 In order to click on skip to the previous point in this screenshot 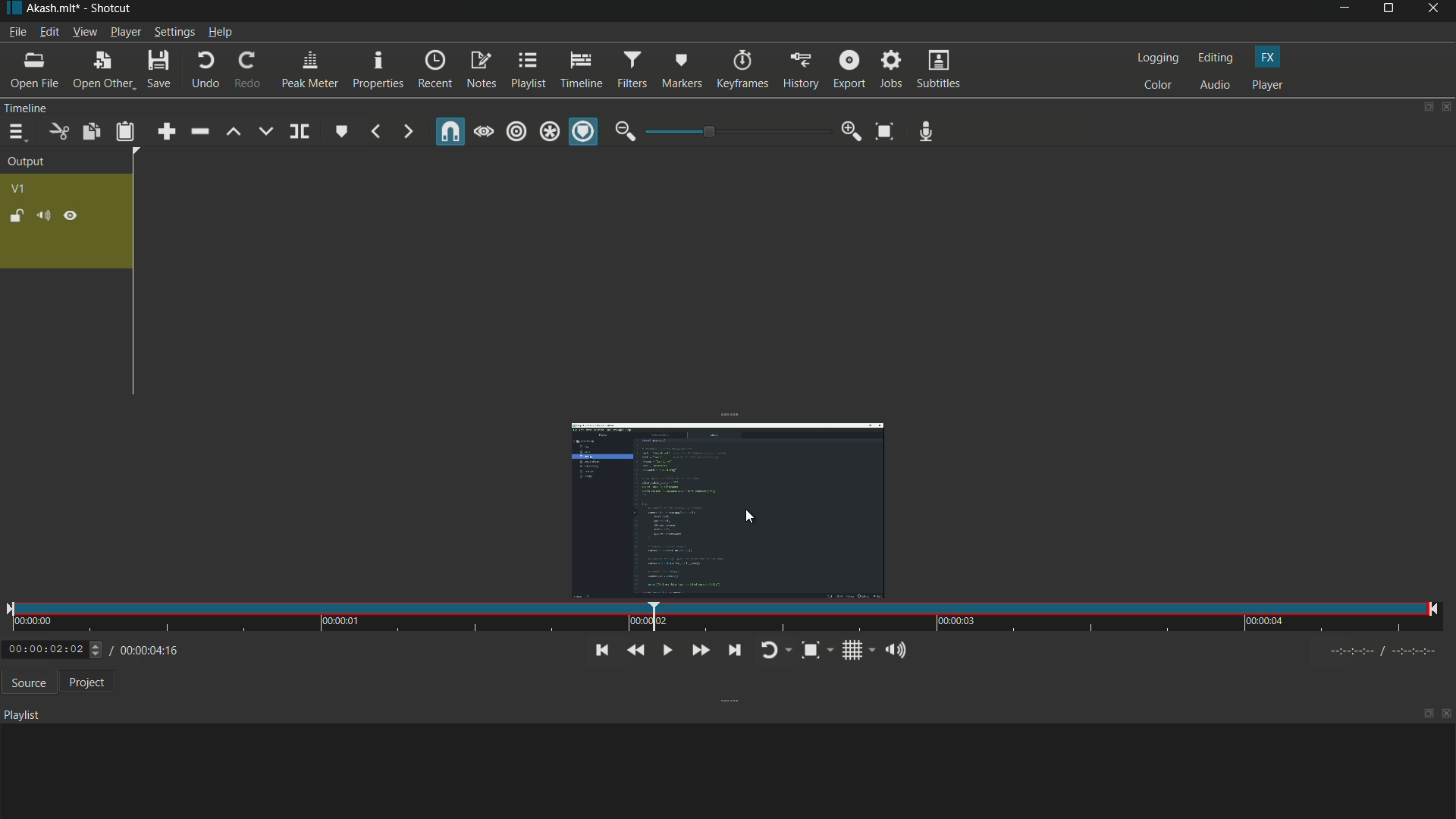, I will do `click(600, 651)`.